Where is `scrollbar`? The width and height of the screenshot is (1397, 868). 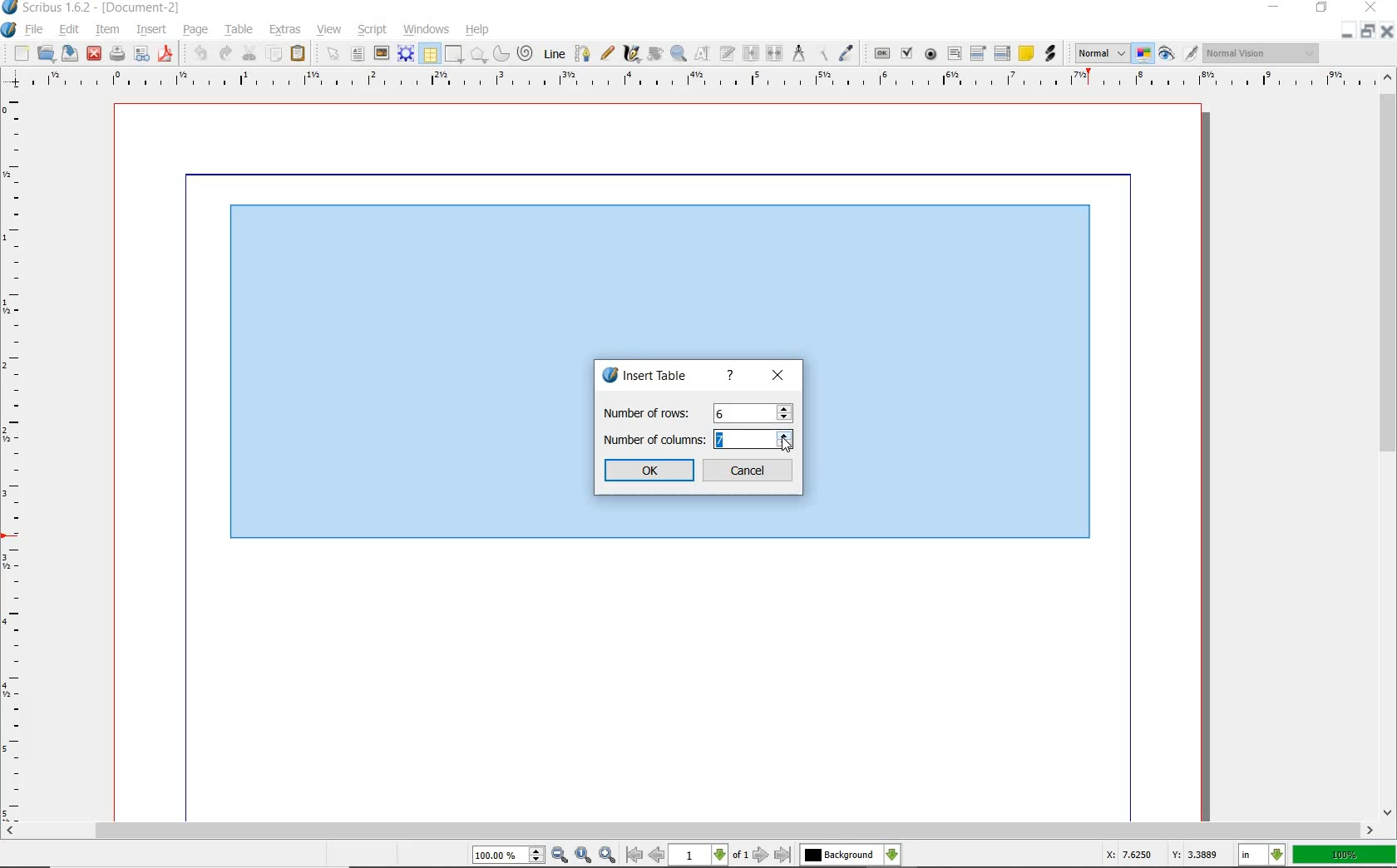
scrollbar is located at coordinates (1385, 455).